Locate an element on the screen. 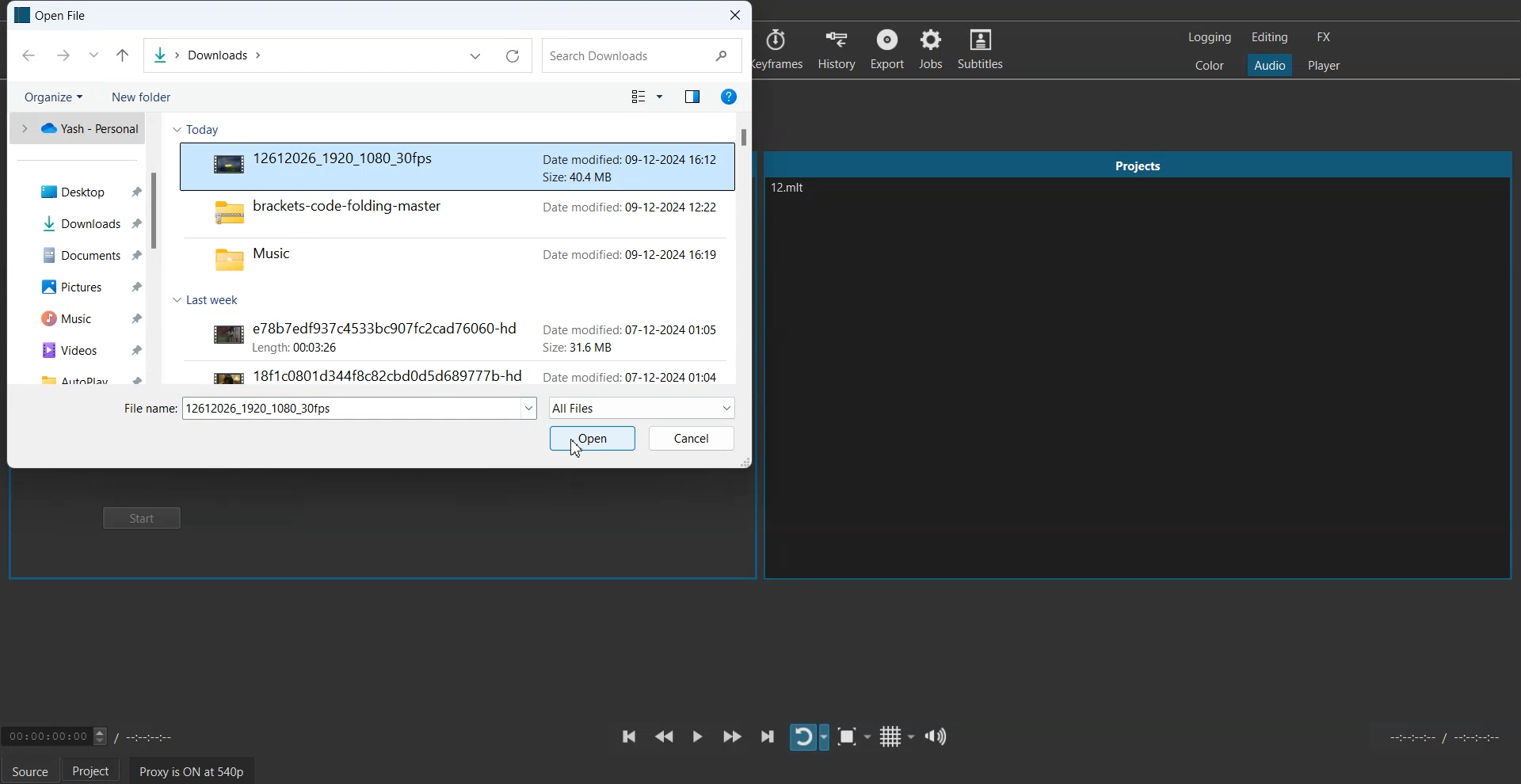 Image resolution: width=1521 pixels, height=784 pixels. Vertical Scroll bar is located at coordinates (745, 249).